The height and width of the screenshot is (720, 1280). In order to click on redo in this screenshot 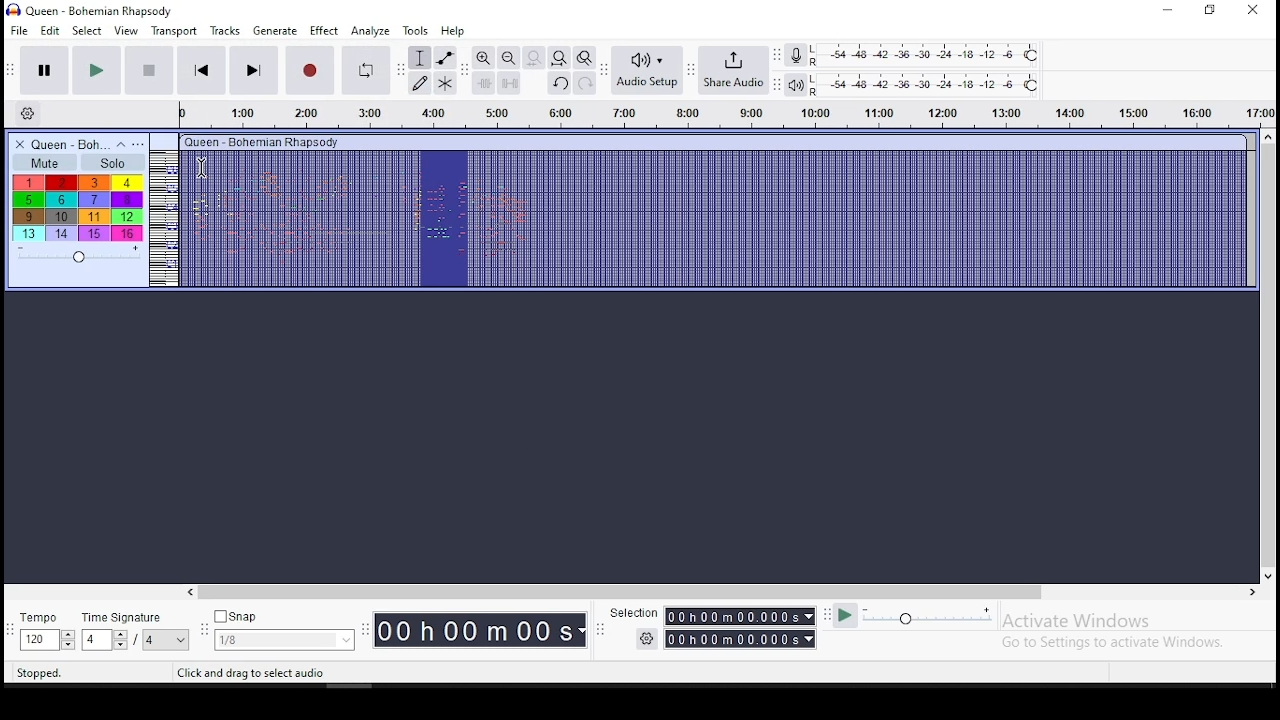, I will do `click(585, 84)`.